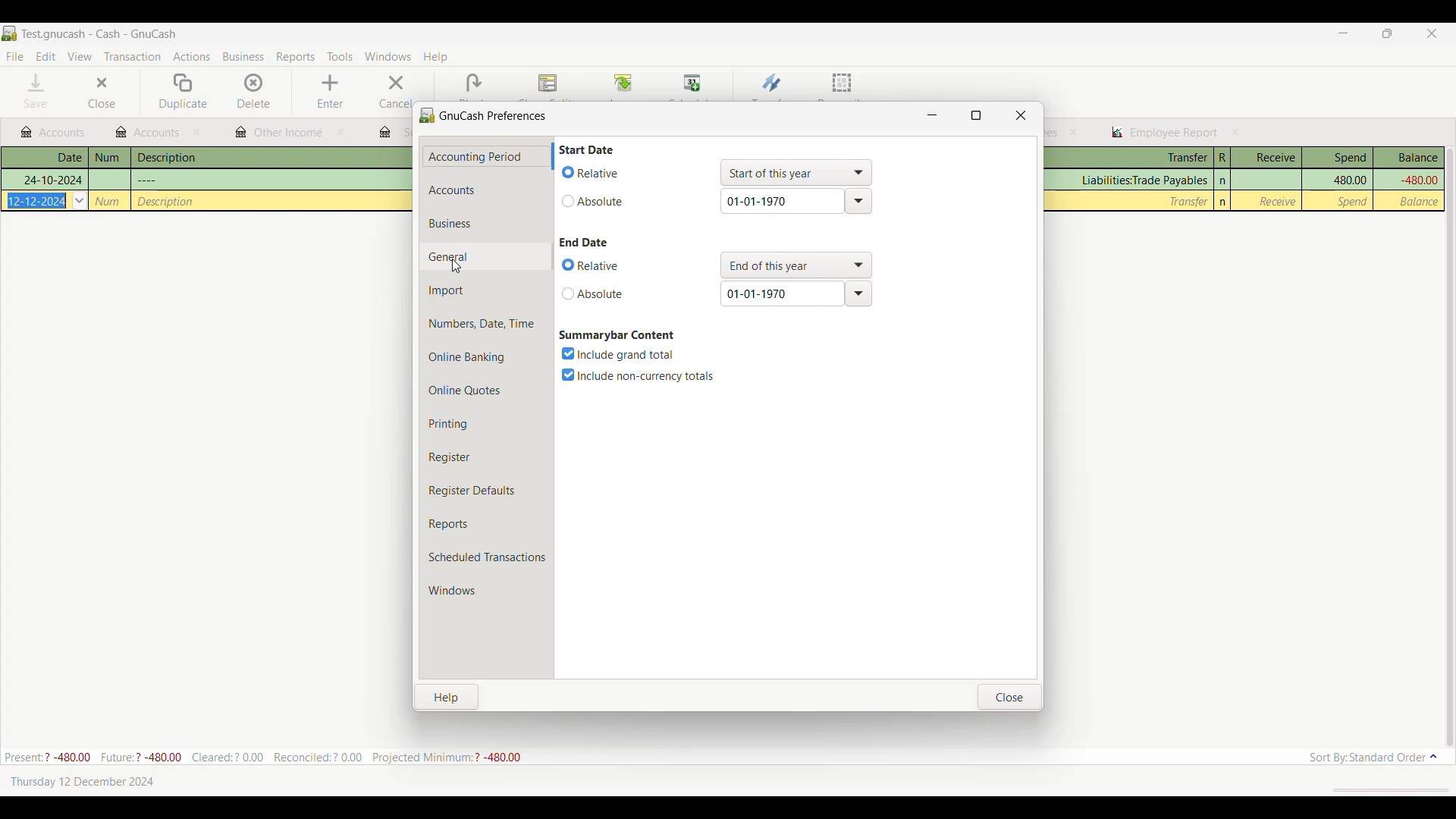 This screenshot has height=819, width=1456. I want to click on , so click(108, 201).